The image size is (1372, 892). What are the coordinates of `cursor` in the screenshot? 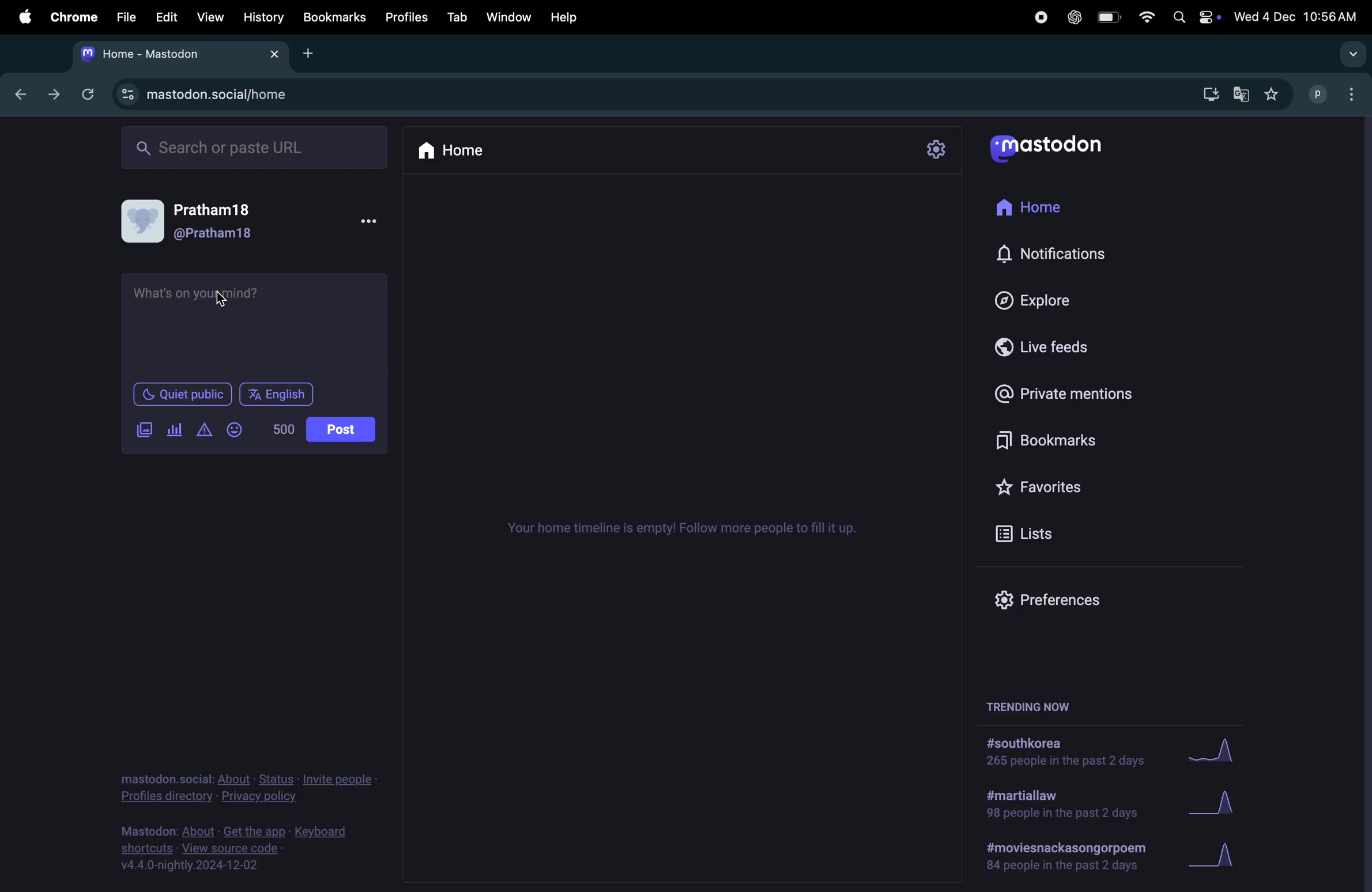 It's located at (221, 297).